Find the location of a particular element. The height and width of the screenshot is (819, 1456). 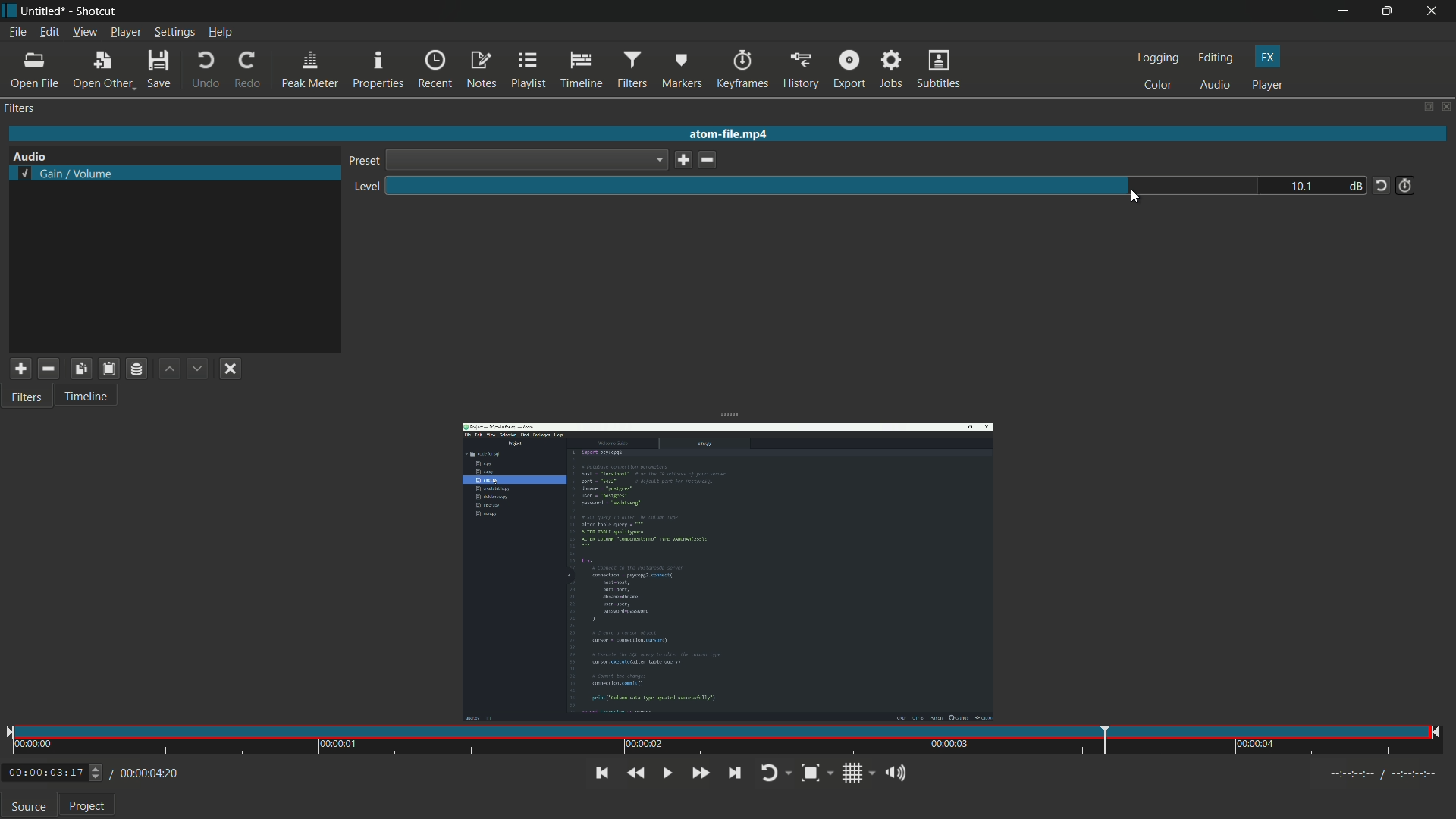

open file is located at coordinates (36, 71).